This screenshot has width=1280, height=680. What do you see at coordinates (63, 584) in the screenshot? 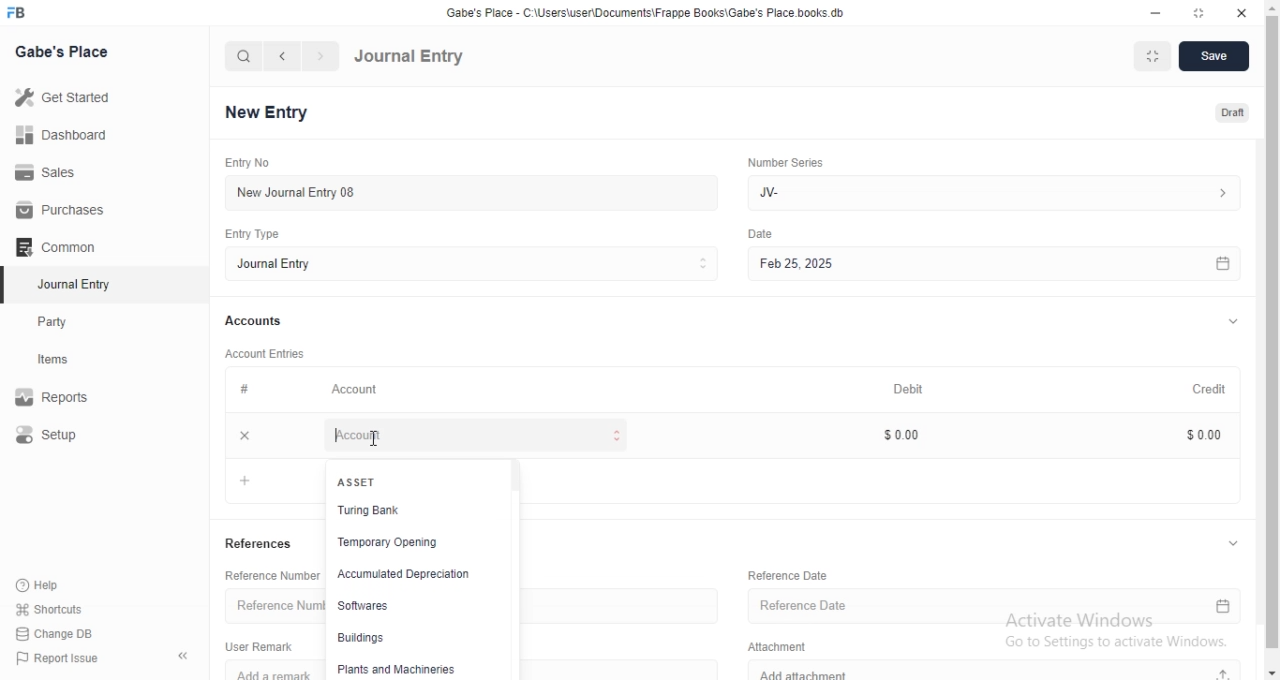
I see `Help` at bounding box center [63, 584].